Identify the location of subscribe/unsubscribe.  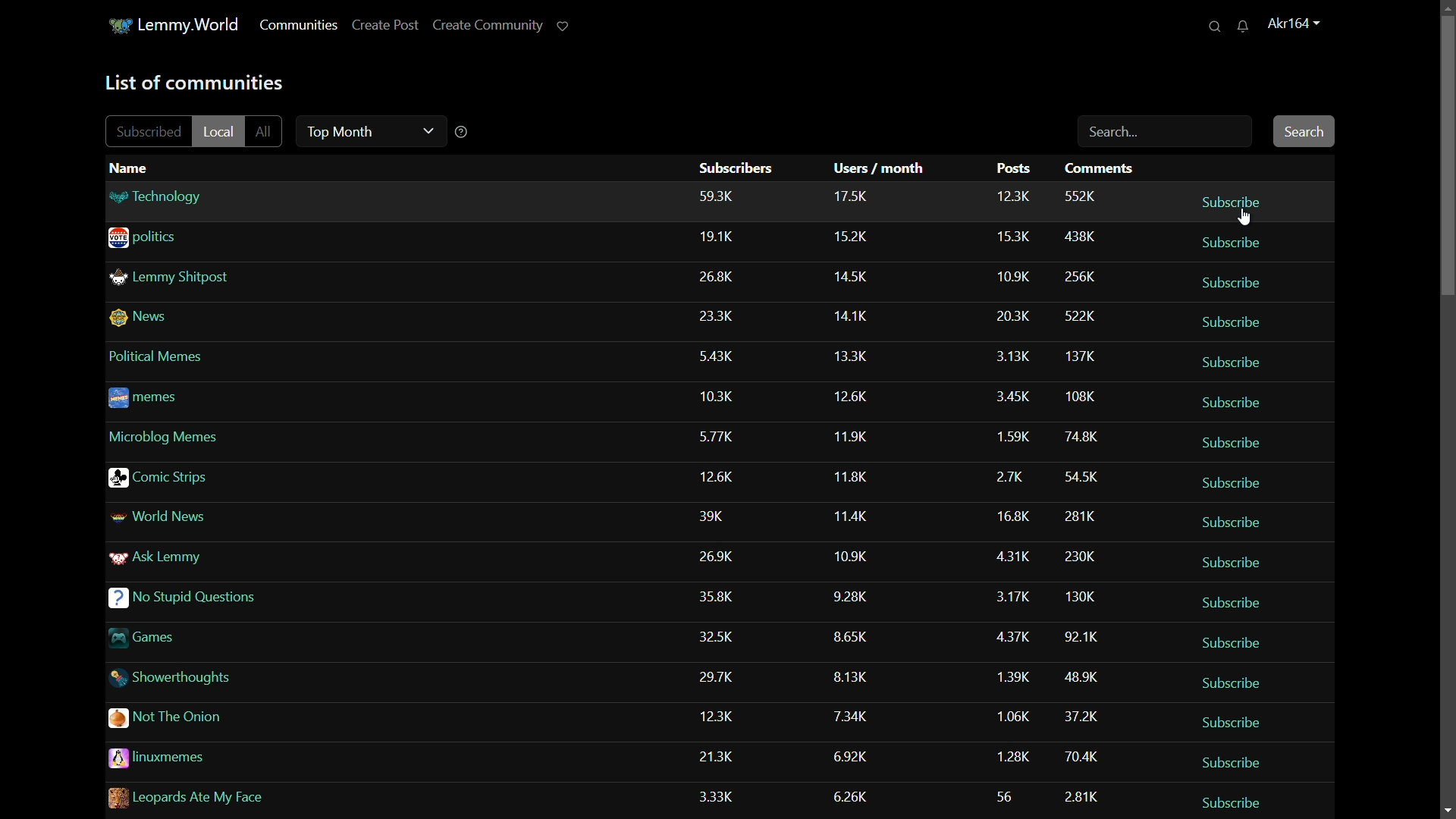
(1230, 362).